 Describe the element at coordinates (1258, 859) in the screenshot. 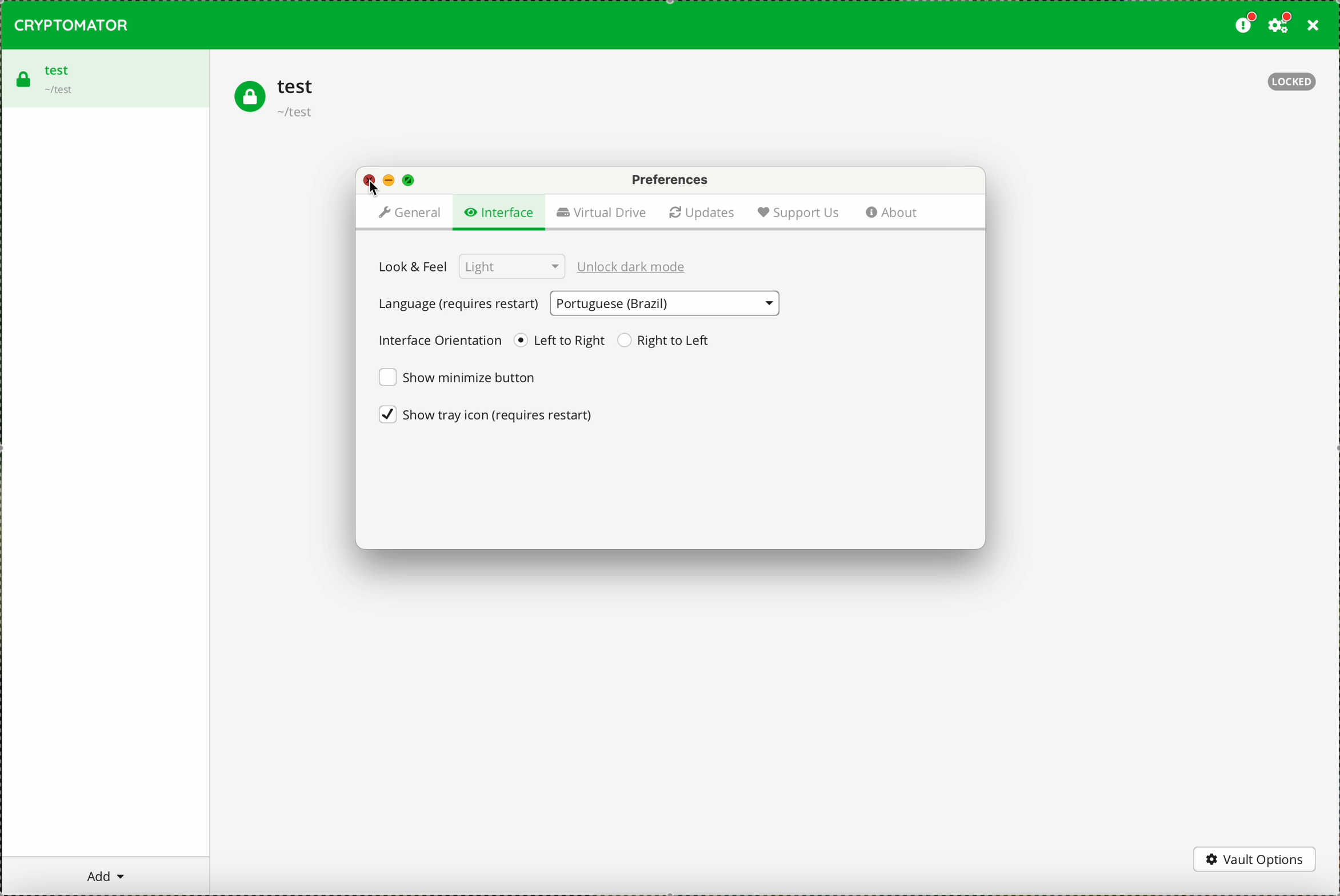

I see `vault options` at that location.